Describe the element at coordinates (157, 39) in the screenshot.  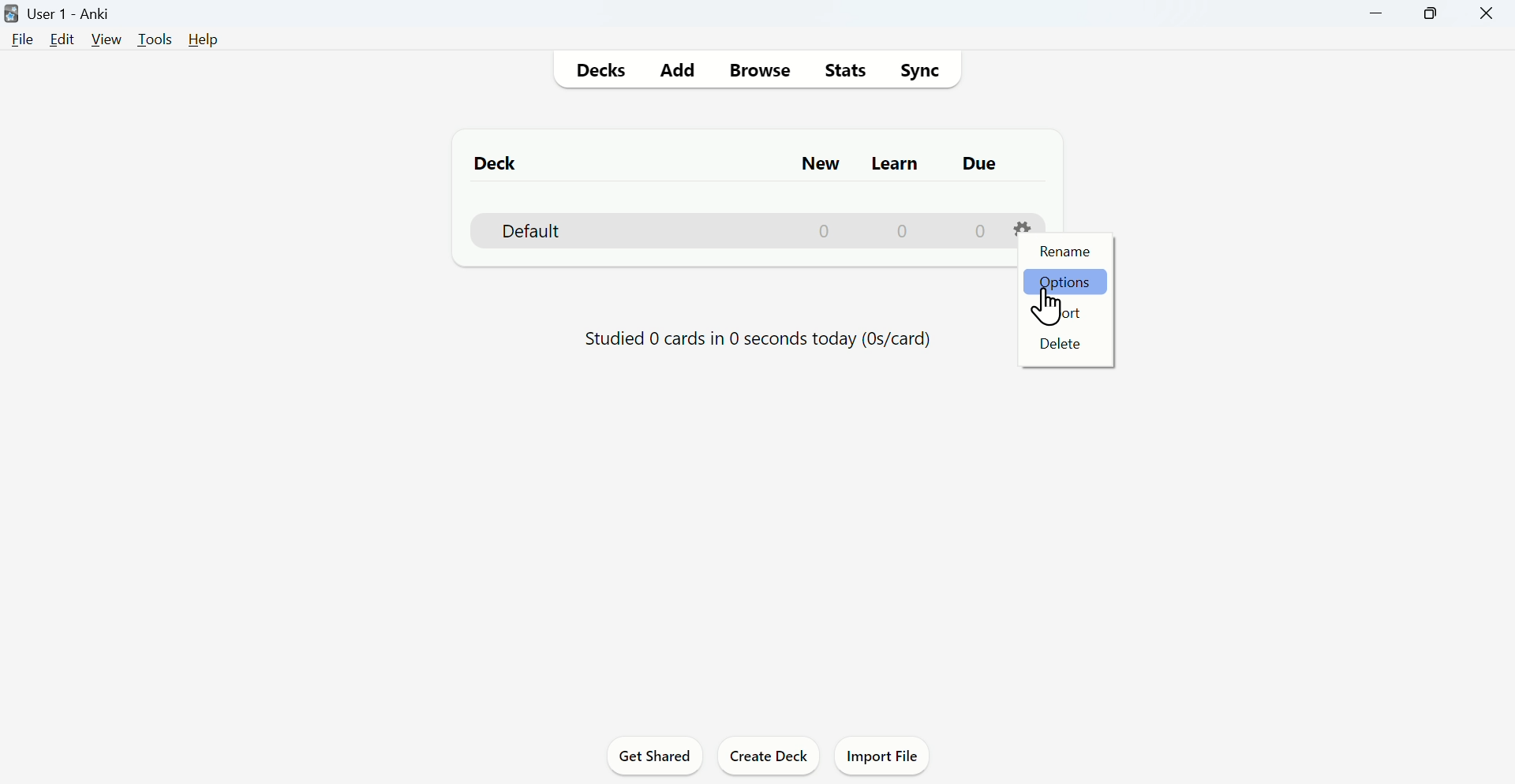
I see `Tools` at that location.